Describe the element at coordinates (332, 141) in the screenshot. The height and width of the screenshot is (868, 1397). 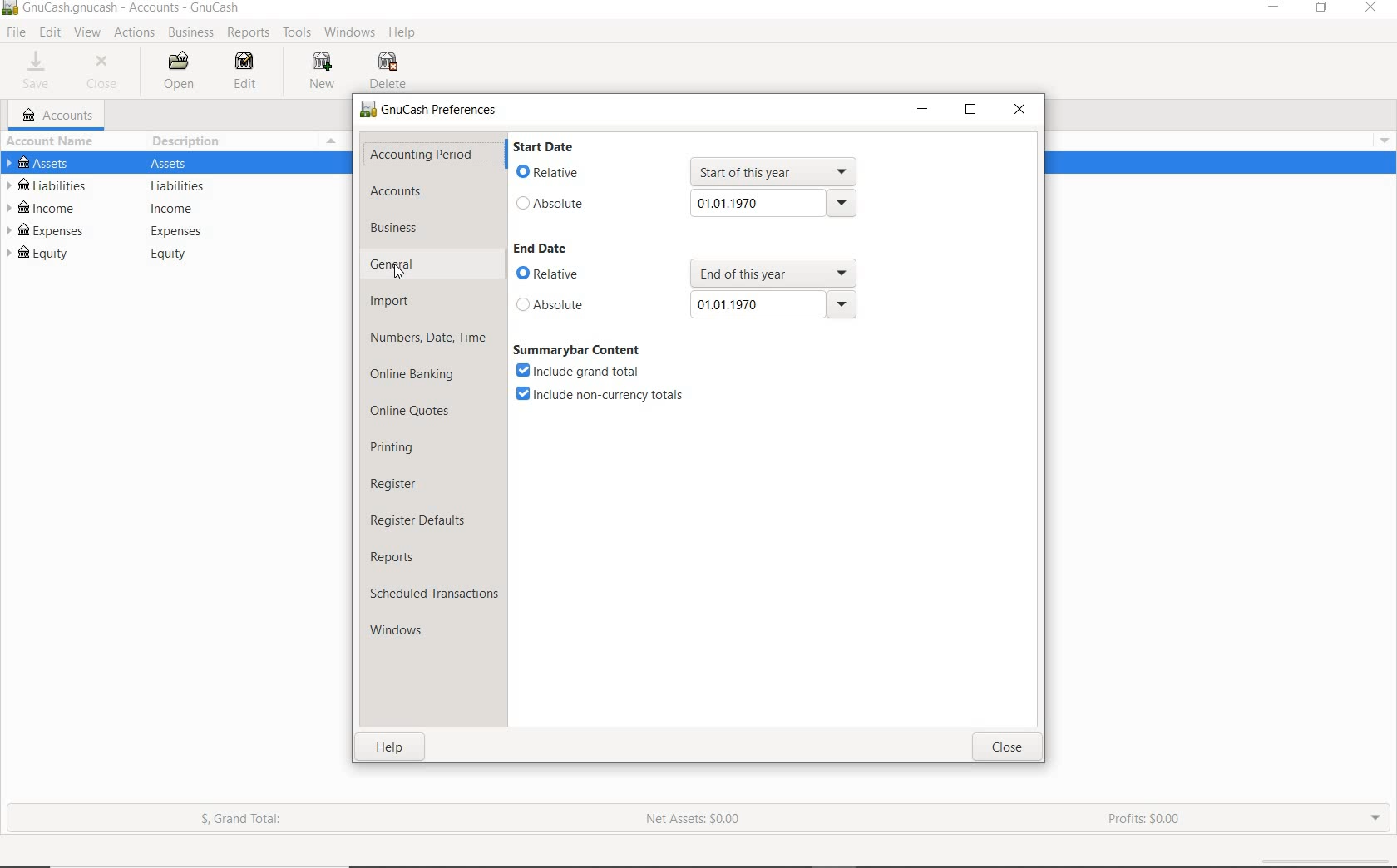
I see `Menu` at that location.